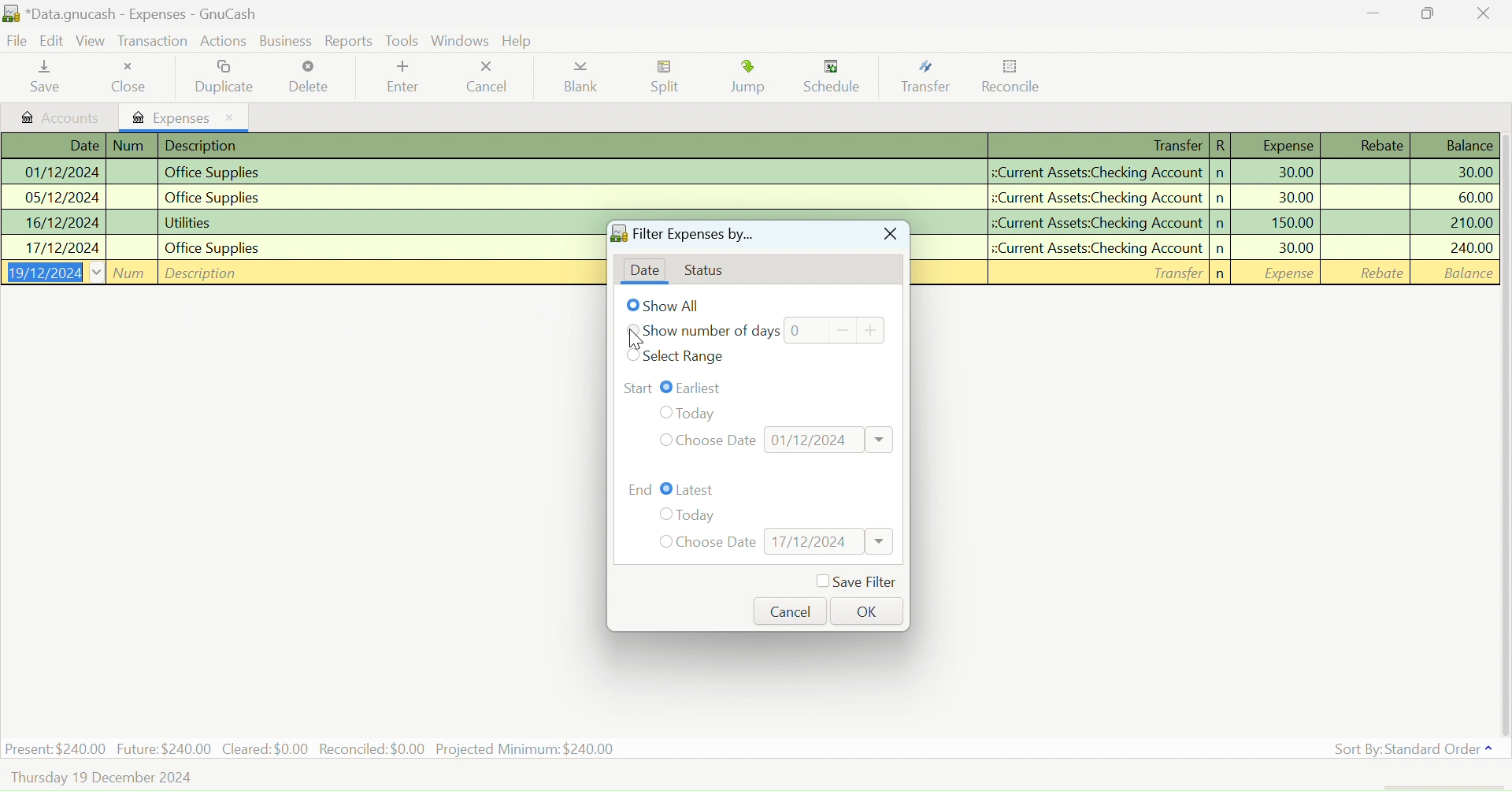  Describe the element at coordinates (888, 236) in the screenshot. I see `Close Window` at that location.